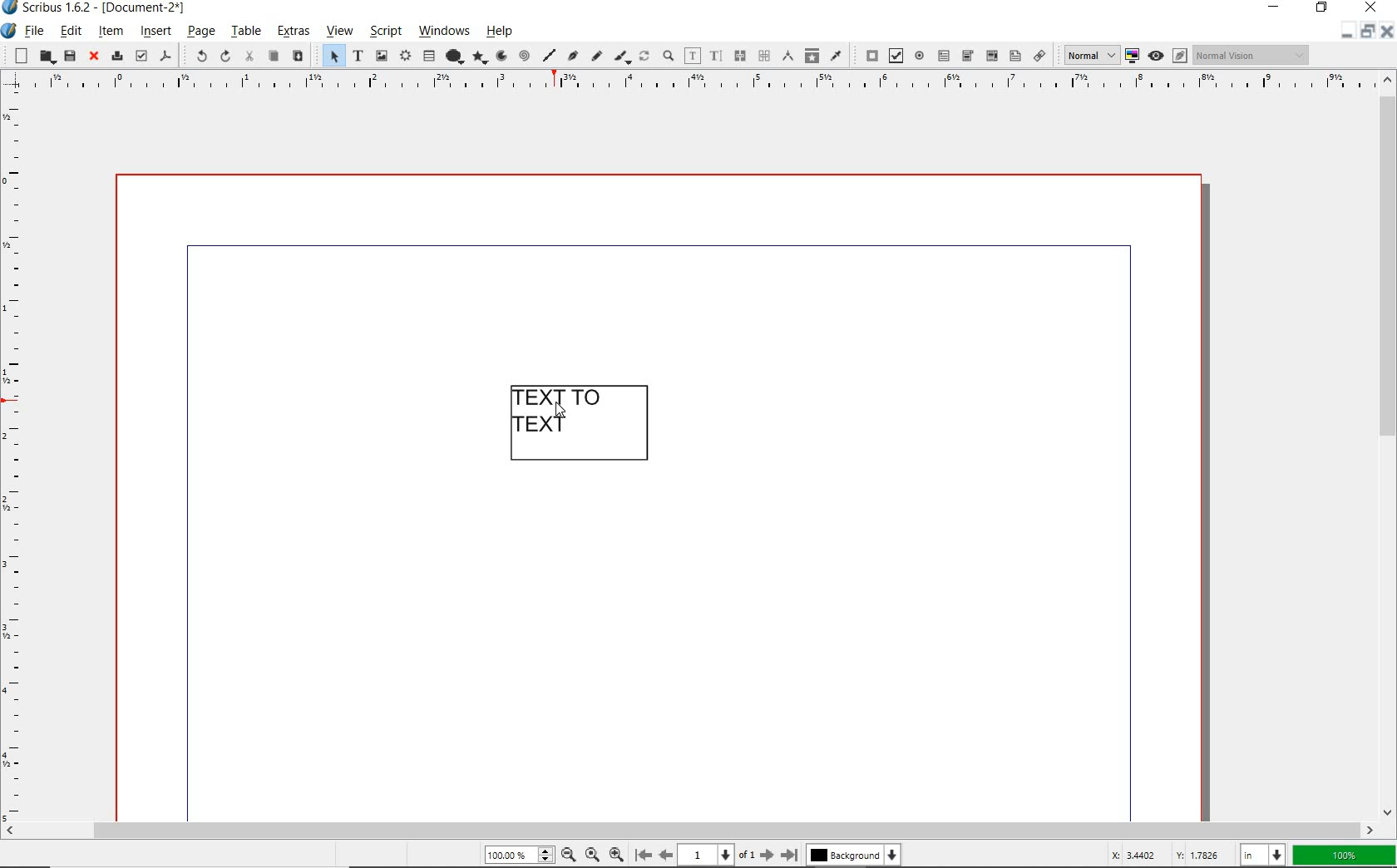  What do you see at coordinates (668, 57) in the screenshot?
I see `zoom in or zoom out` at bounding box center [668, 57].